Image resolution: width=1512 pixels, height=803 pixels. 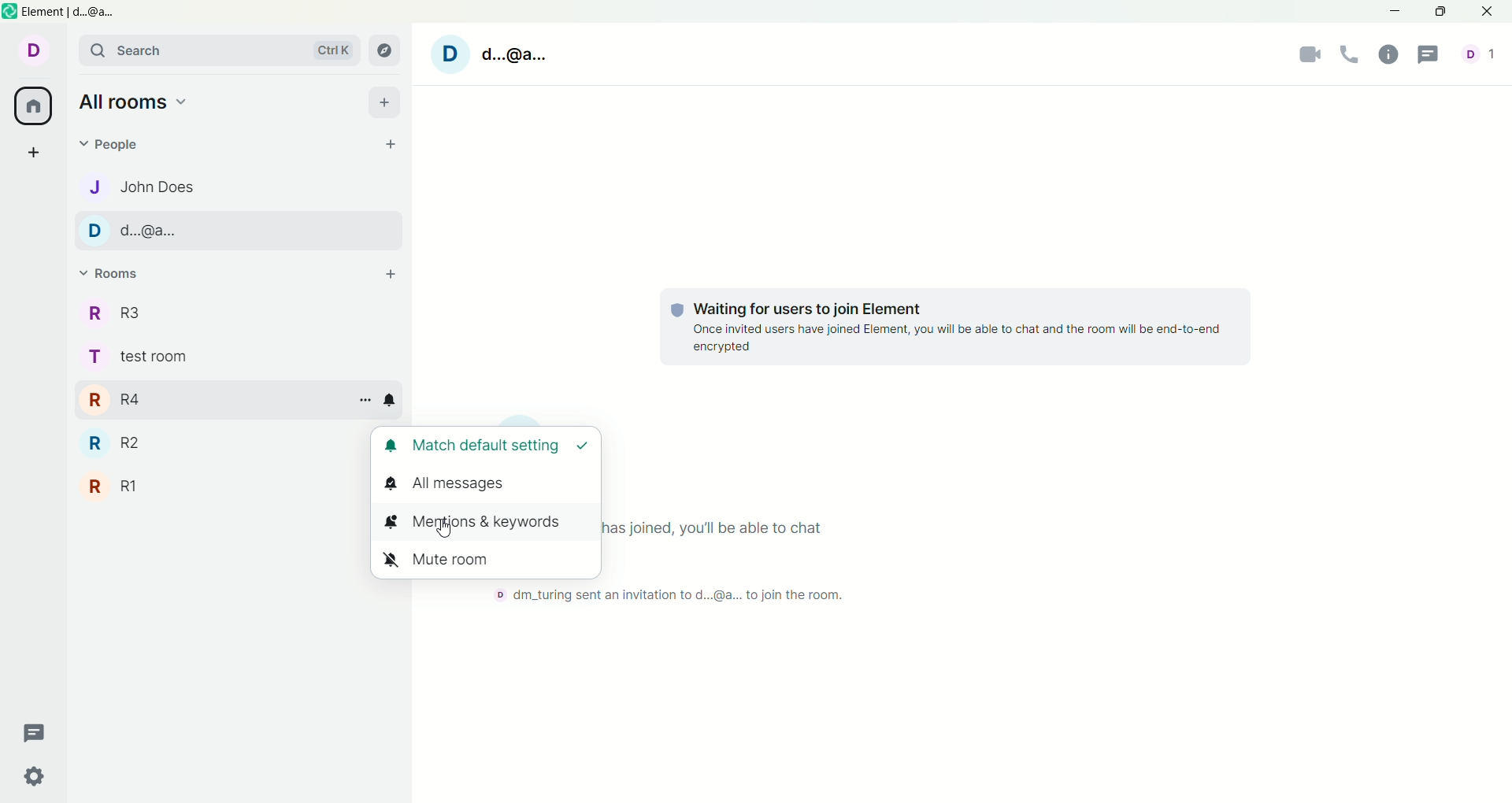 I want to click on all rooms, so click(x=139, y=101).